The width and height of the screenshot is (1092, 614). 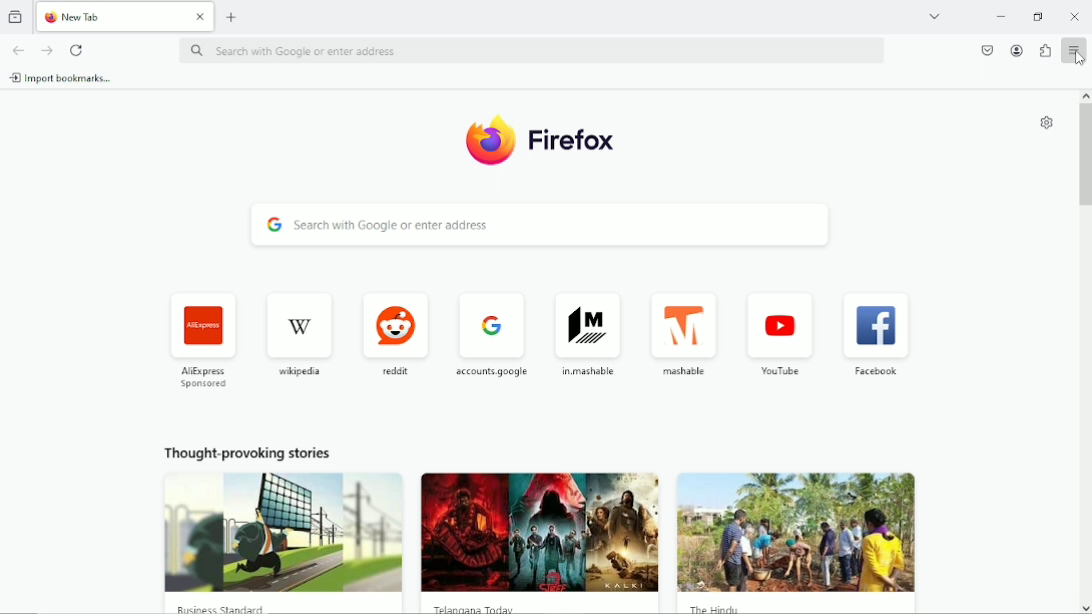 I want to click on youtube, so click(x=781, y=332).